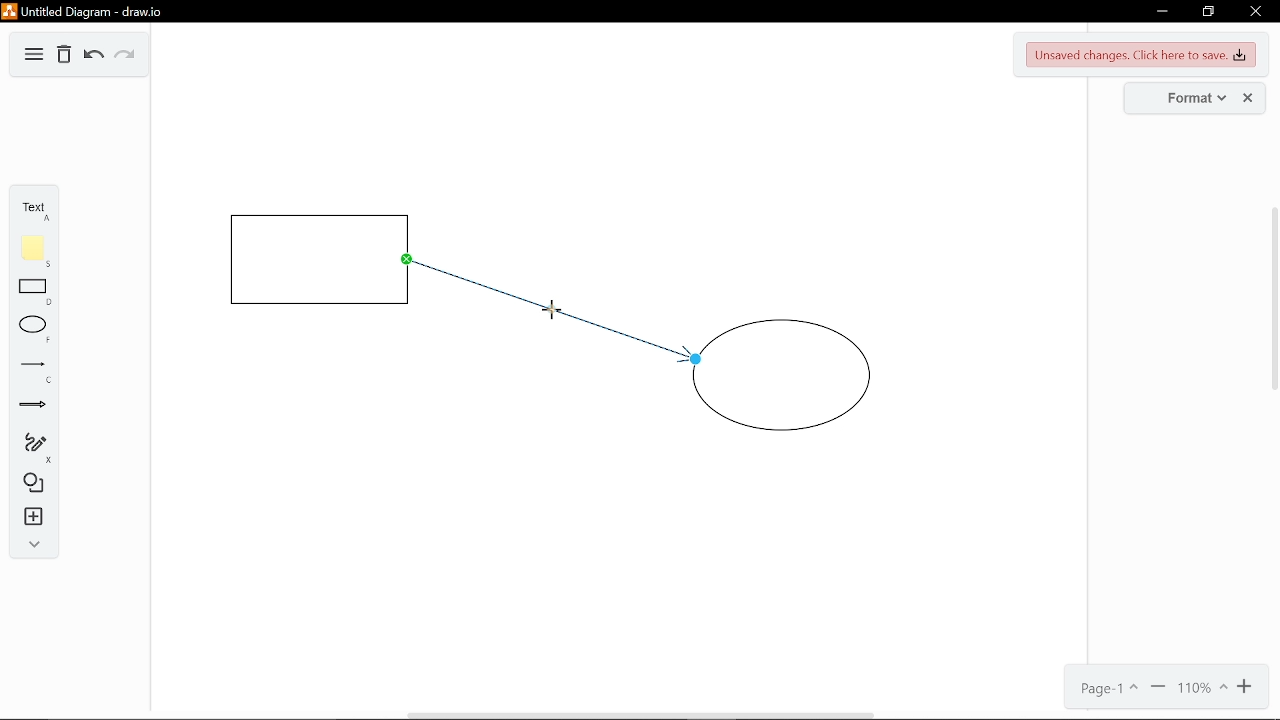  I want to click on Minimize, so click(1159, 10).